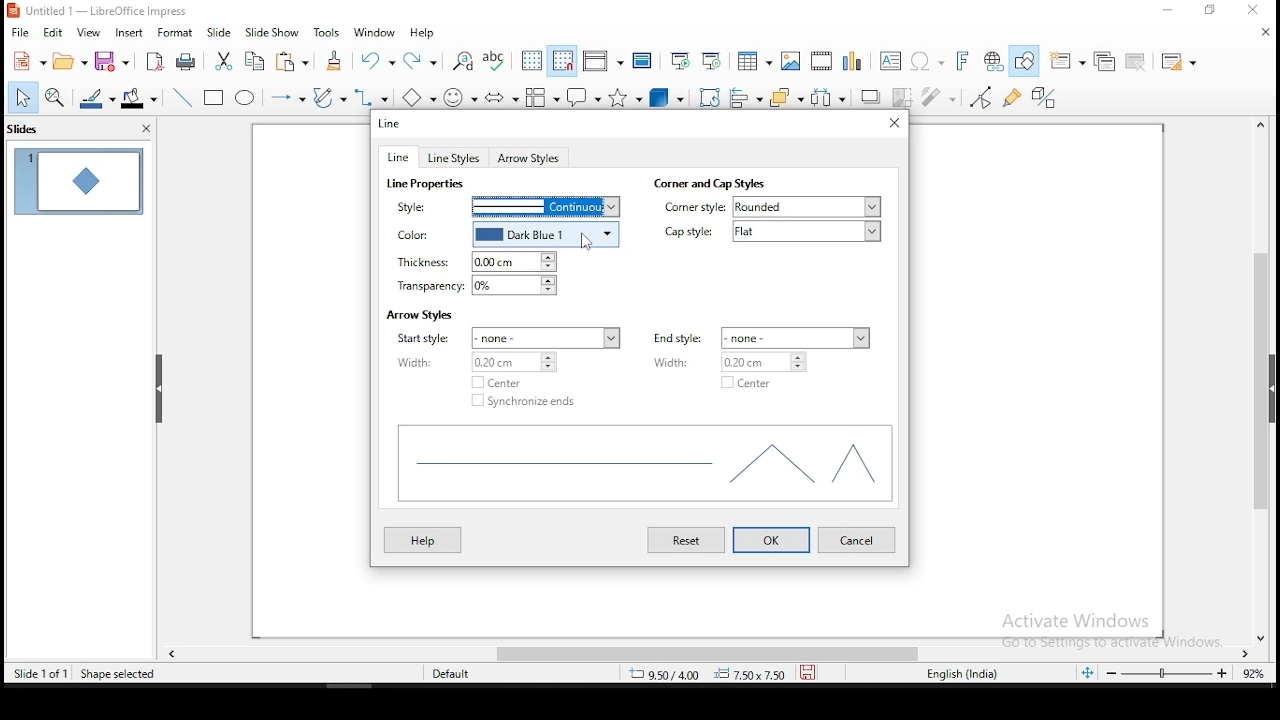 The height and width of the screenshot is (720, 1280). Describe the element at coordinates (422, 96) in the screenshot. I see `basic shapes` at that location.